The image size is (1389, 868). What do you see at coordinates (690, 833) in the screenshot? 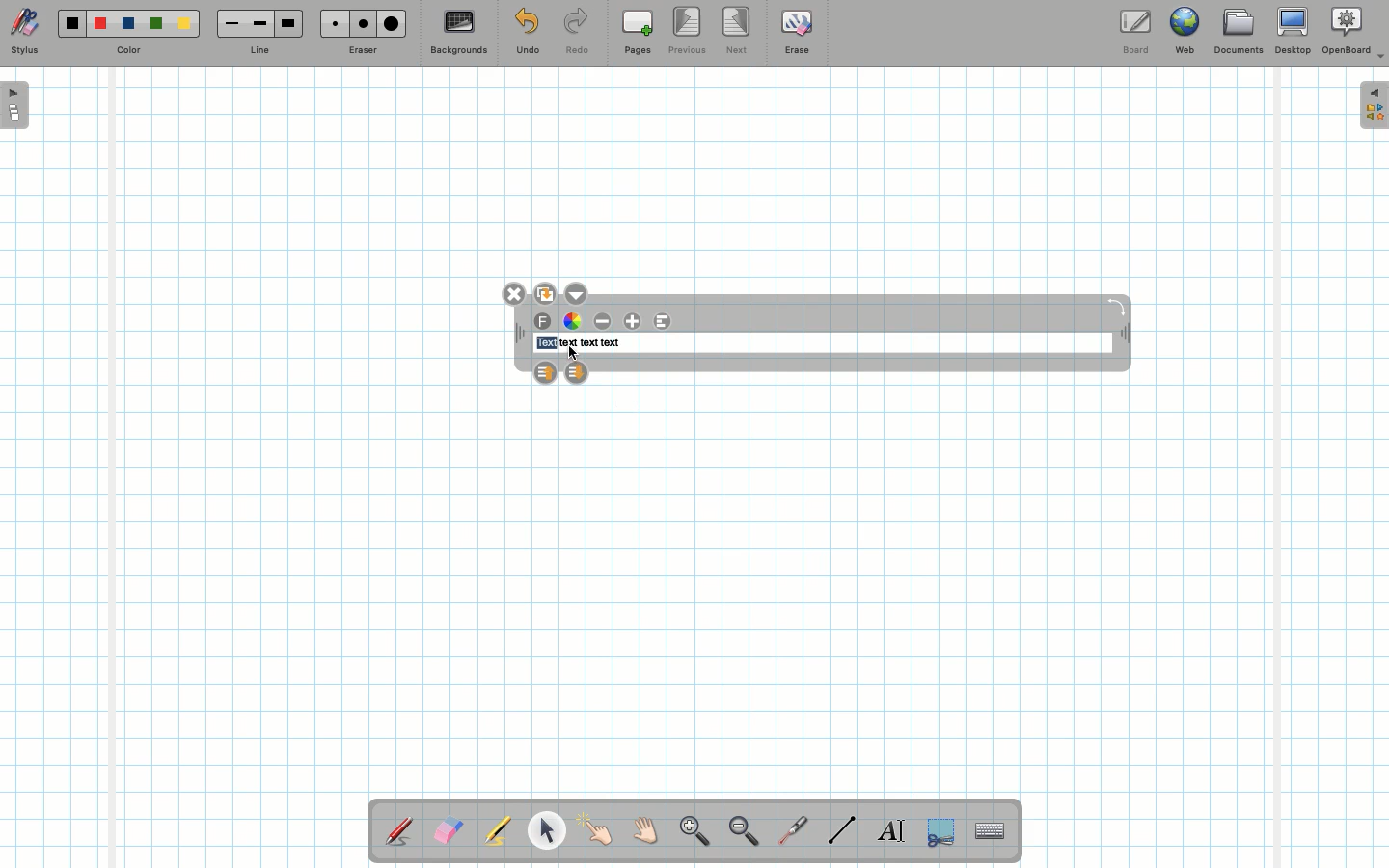
I see `Zoom in` at bounding box center [690, 833].